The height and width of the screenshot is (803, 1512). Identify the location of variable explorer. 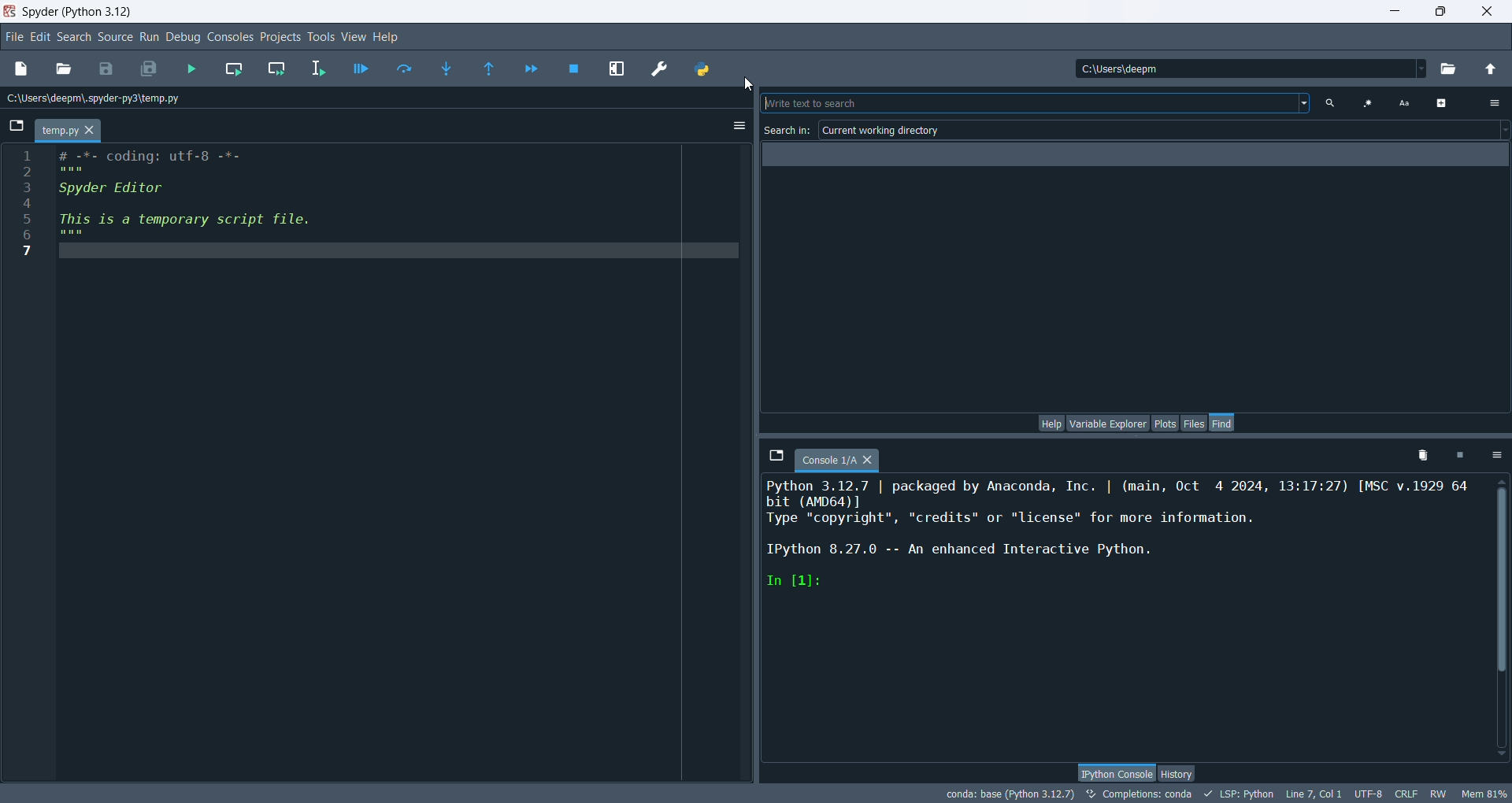
(1109, 424).